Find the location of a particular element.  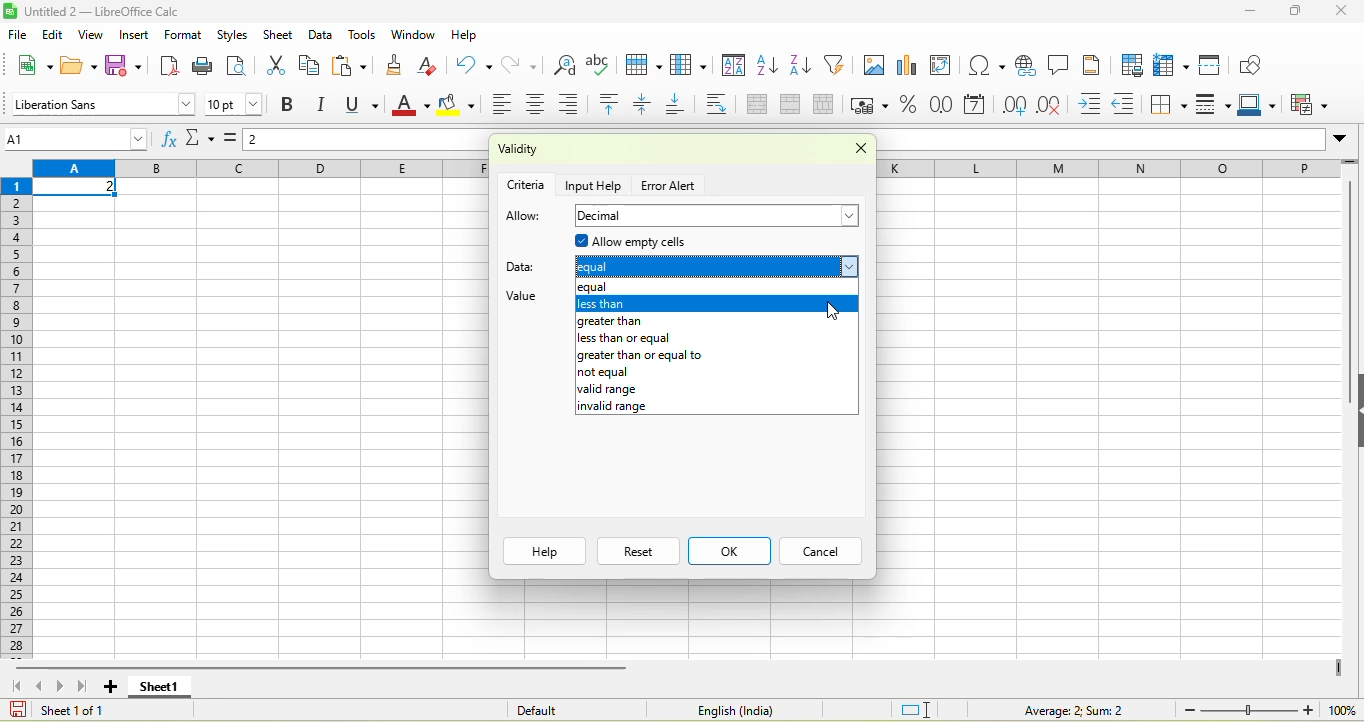

styles is located at coordinates (231, 33).